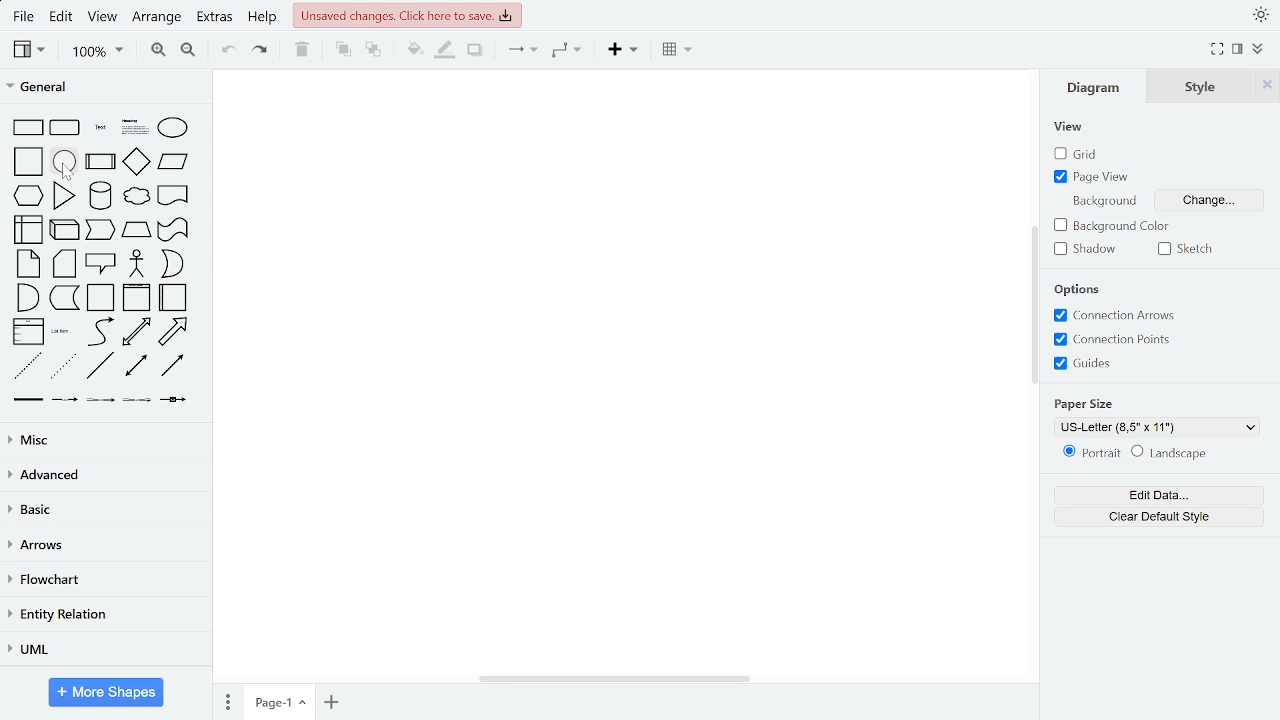  What do you see at coordinates (100, 196) in the screenshot?
I see `cylinder` at bounding box center [100, 196].